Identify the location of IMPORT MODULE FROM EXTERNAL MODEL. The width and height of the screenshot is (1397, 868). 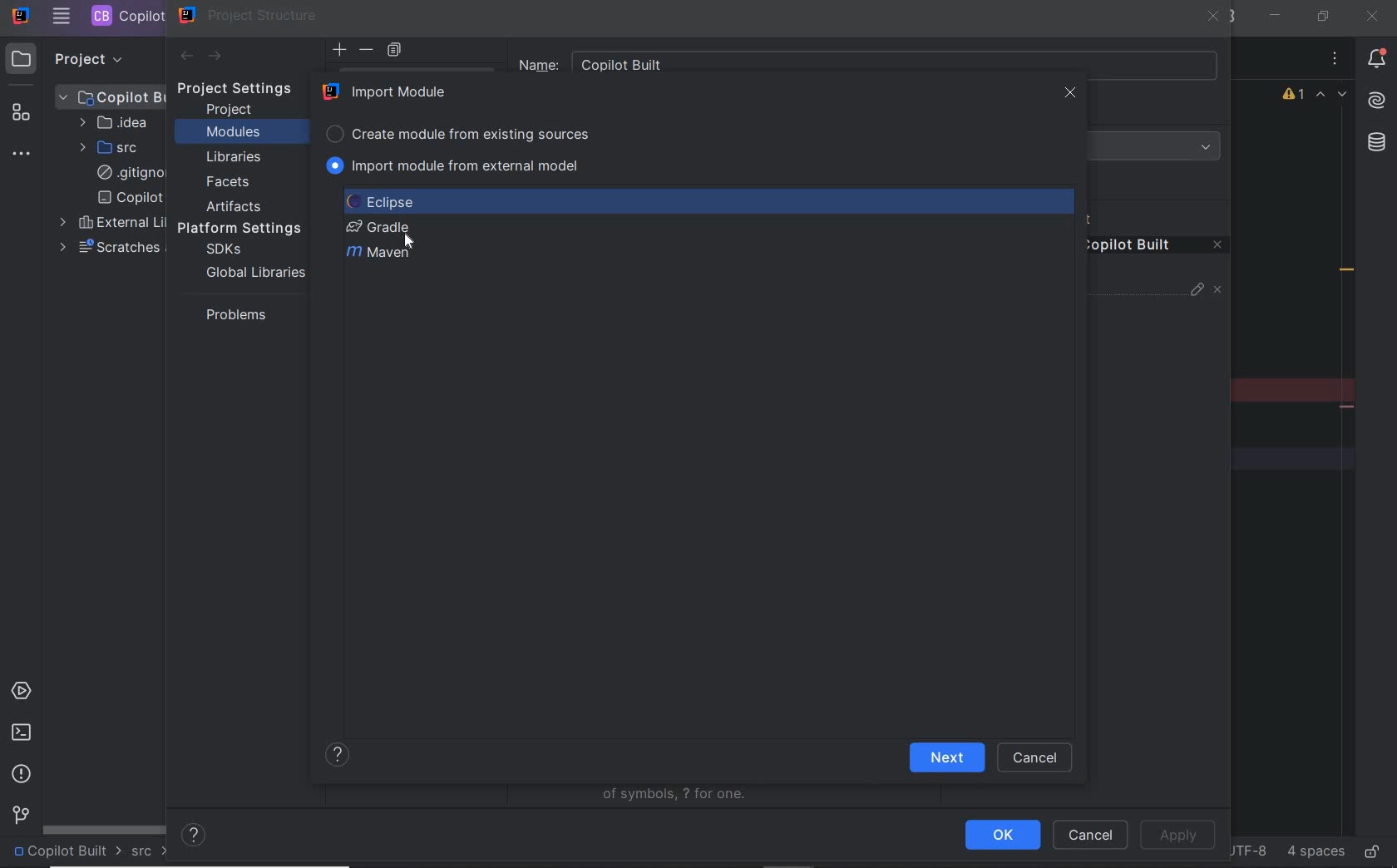
(457, 165).